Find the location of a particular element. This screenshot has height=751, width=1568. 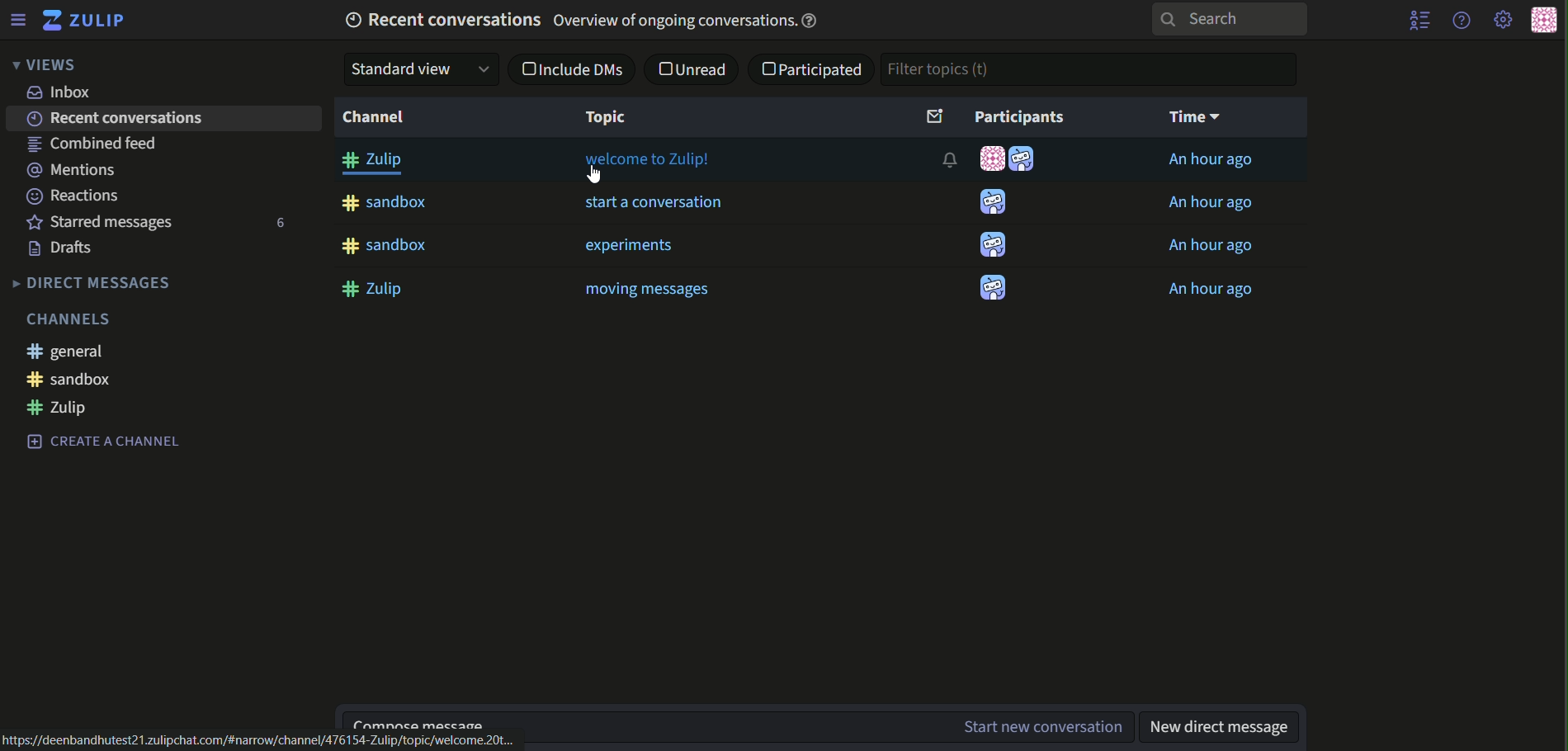

text is located at coordinates (636, 245).